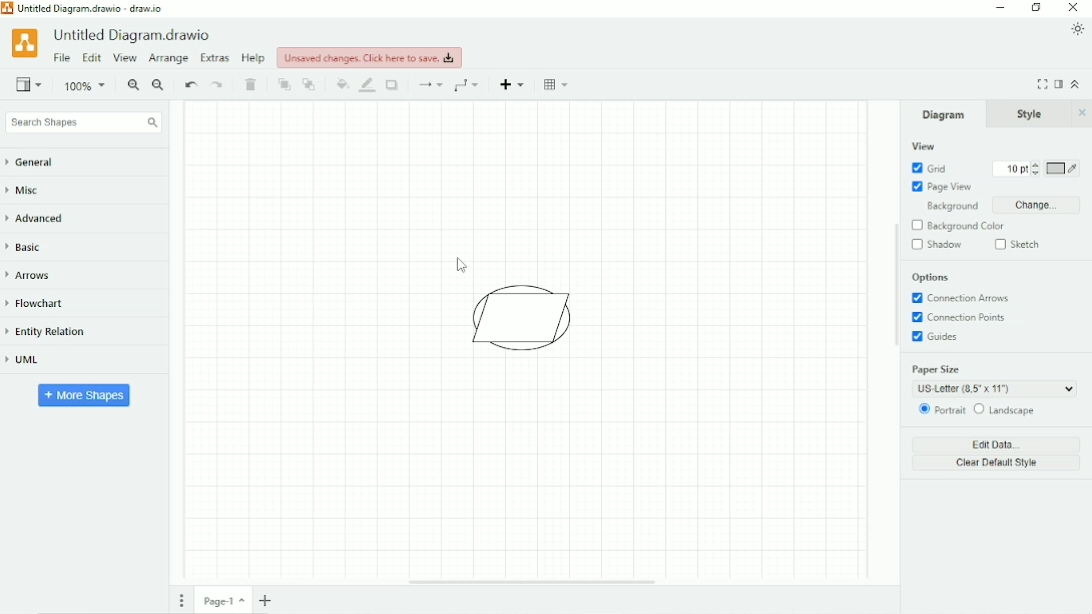 This screenshot has height=614, width=1092. What do you see at coordinates (182, 600) in the screenshot?
I see `Pages` at bounding box center [182, 600].